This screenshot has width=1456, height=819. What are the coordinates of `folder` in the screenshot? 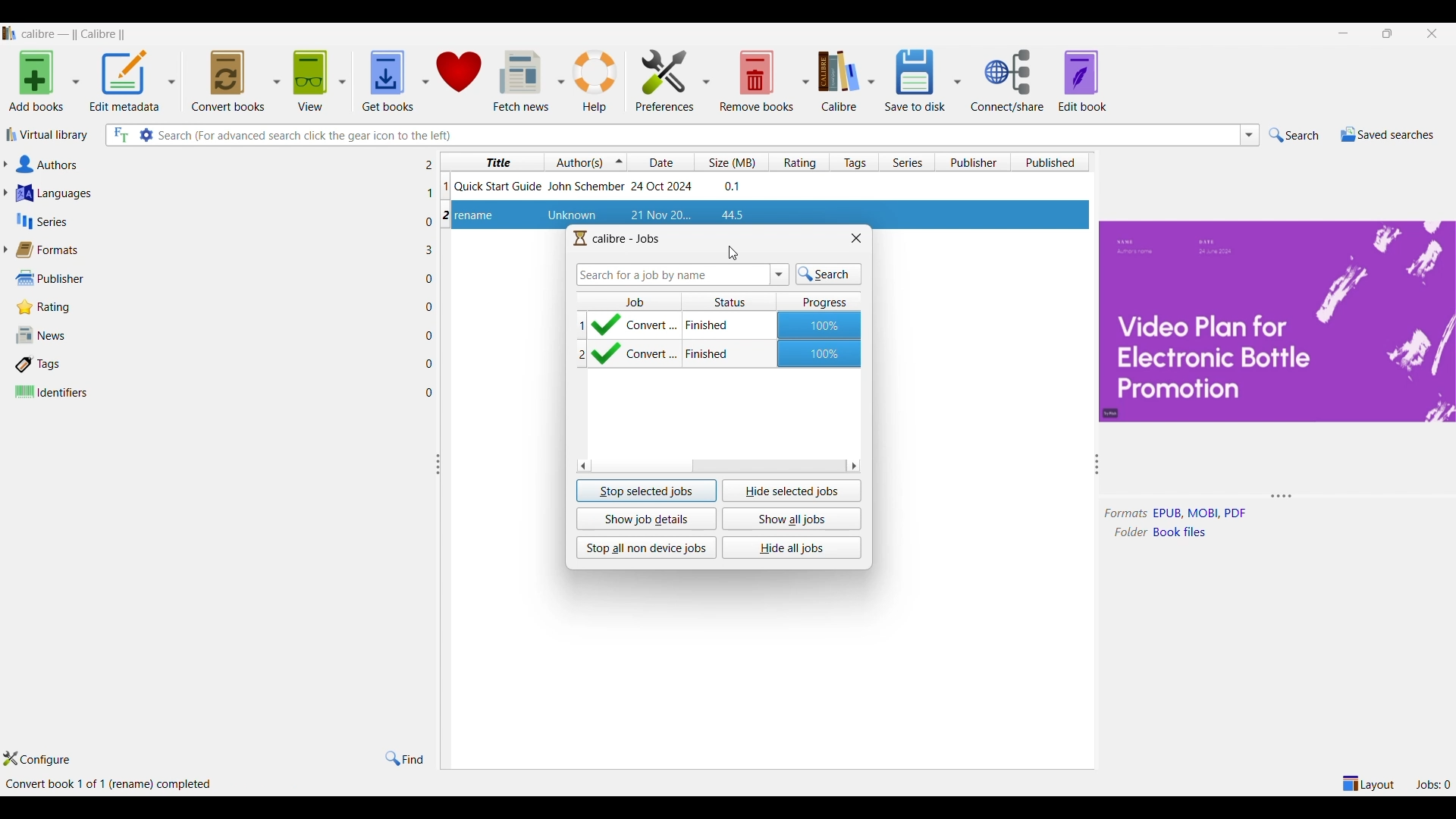 It's located at (1127, 532).